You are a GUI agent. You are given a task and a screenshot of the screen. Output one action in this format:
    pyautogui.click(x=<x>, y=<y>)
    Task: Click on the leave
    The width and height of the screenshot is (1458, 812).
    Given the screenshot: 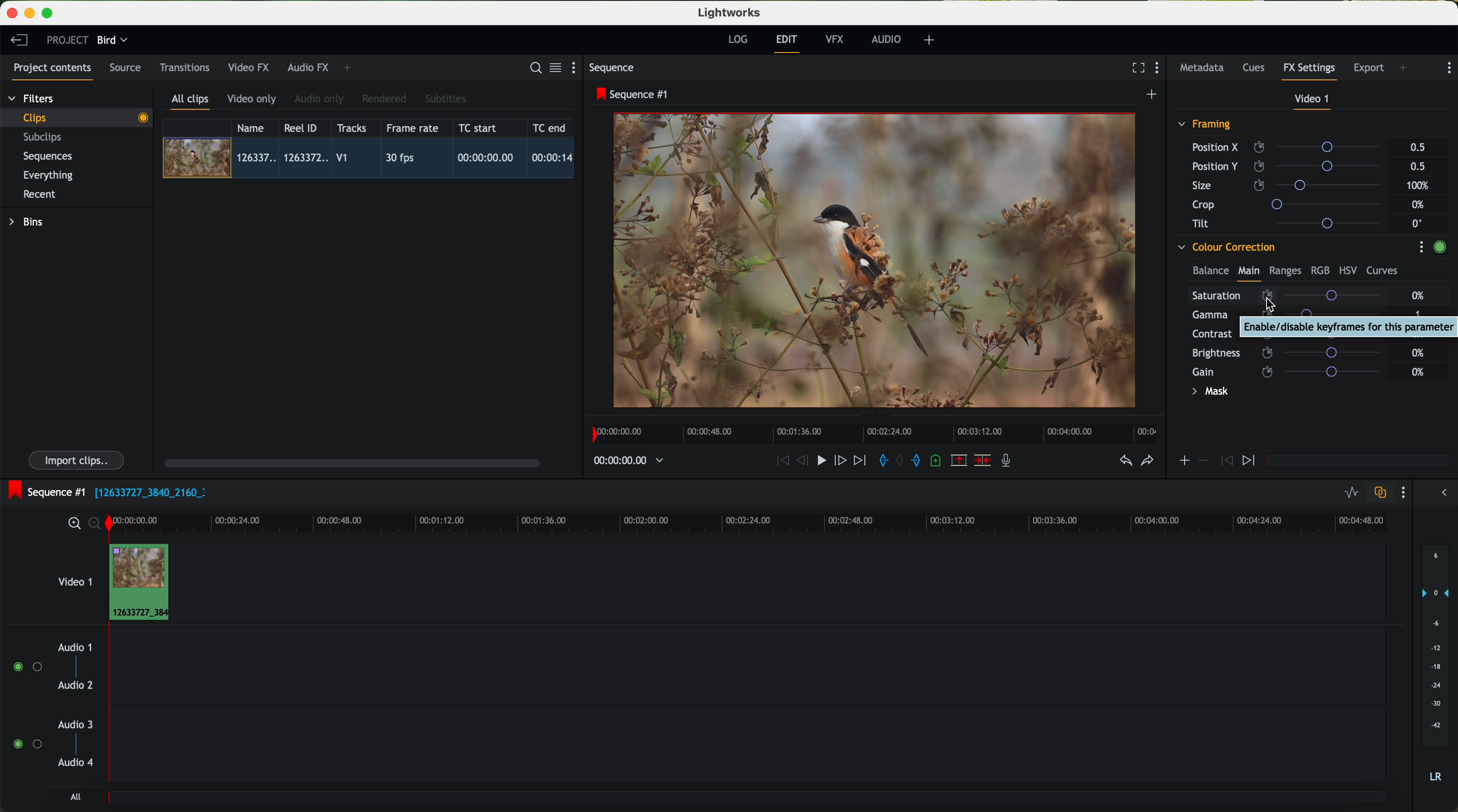 What is the action you would take?
    pyautogui.click(x=19, y=41)
    